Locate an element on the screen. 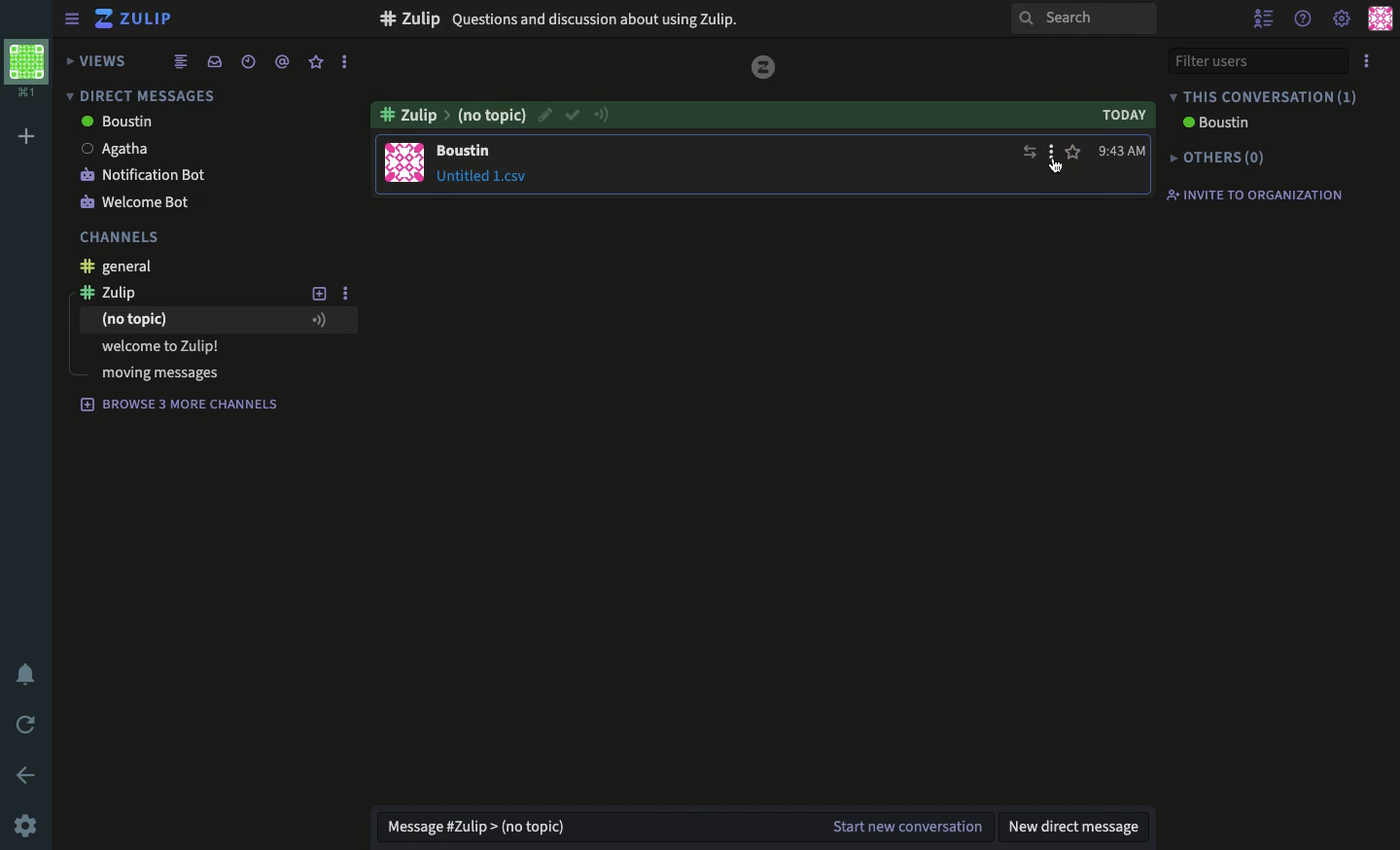  Agatha is located at coordinates (149, 148).